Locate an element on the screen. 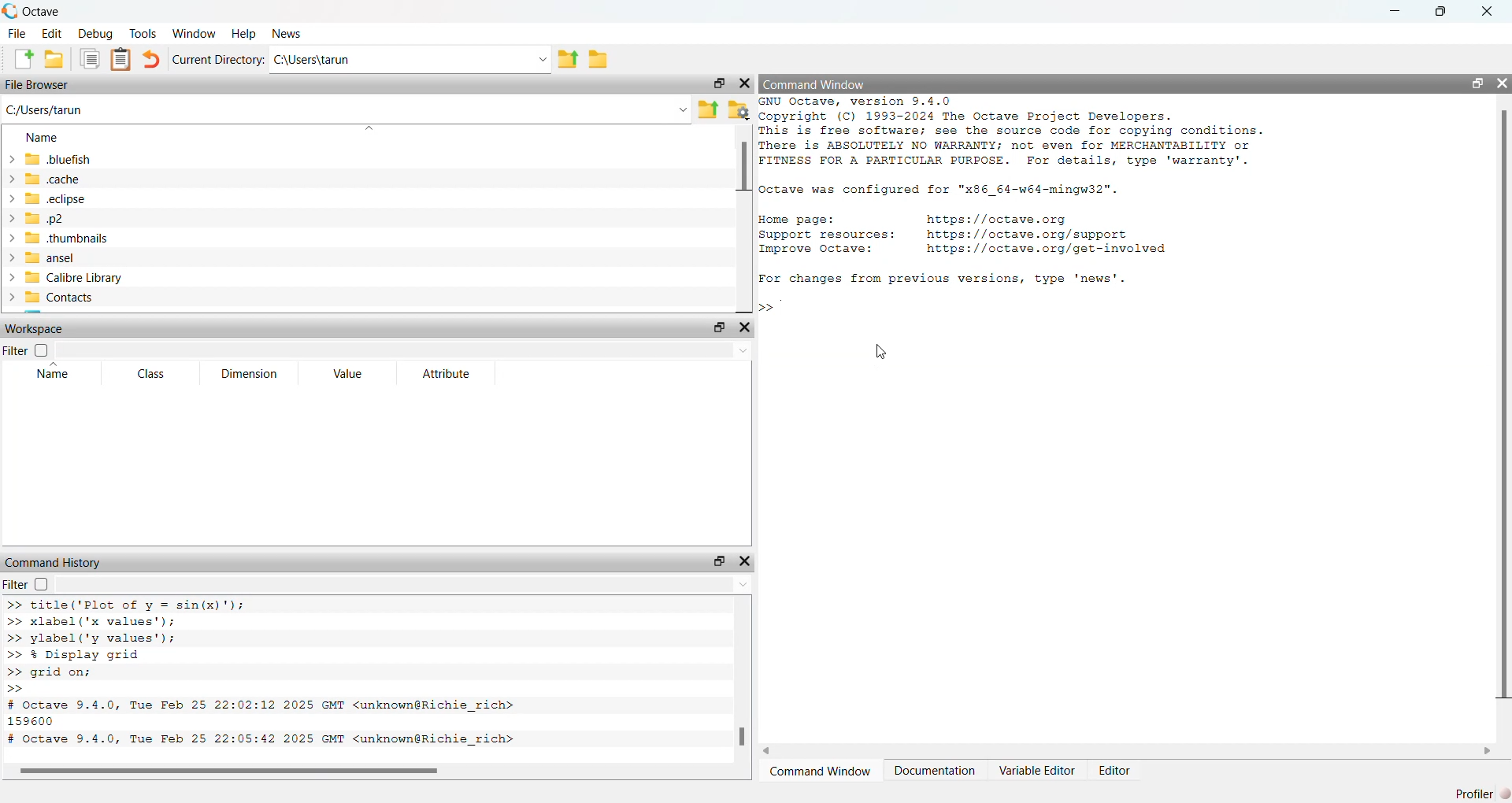 The image size is (1512, 803). ® Copyright (C) 1993-2024 The Octave Project Developers. is located at coordinates (973, 116).